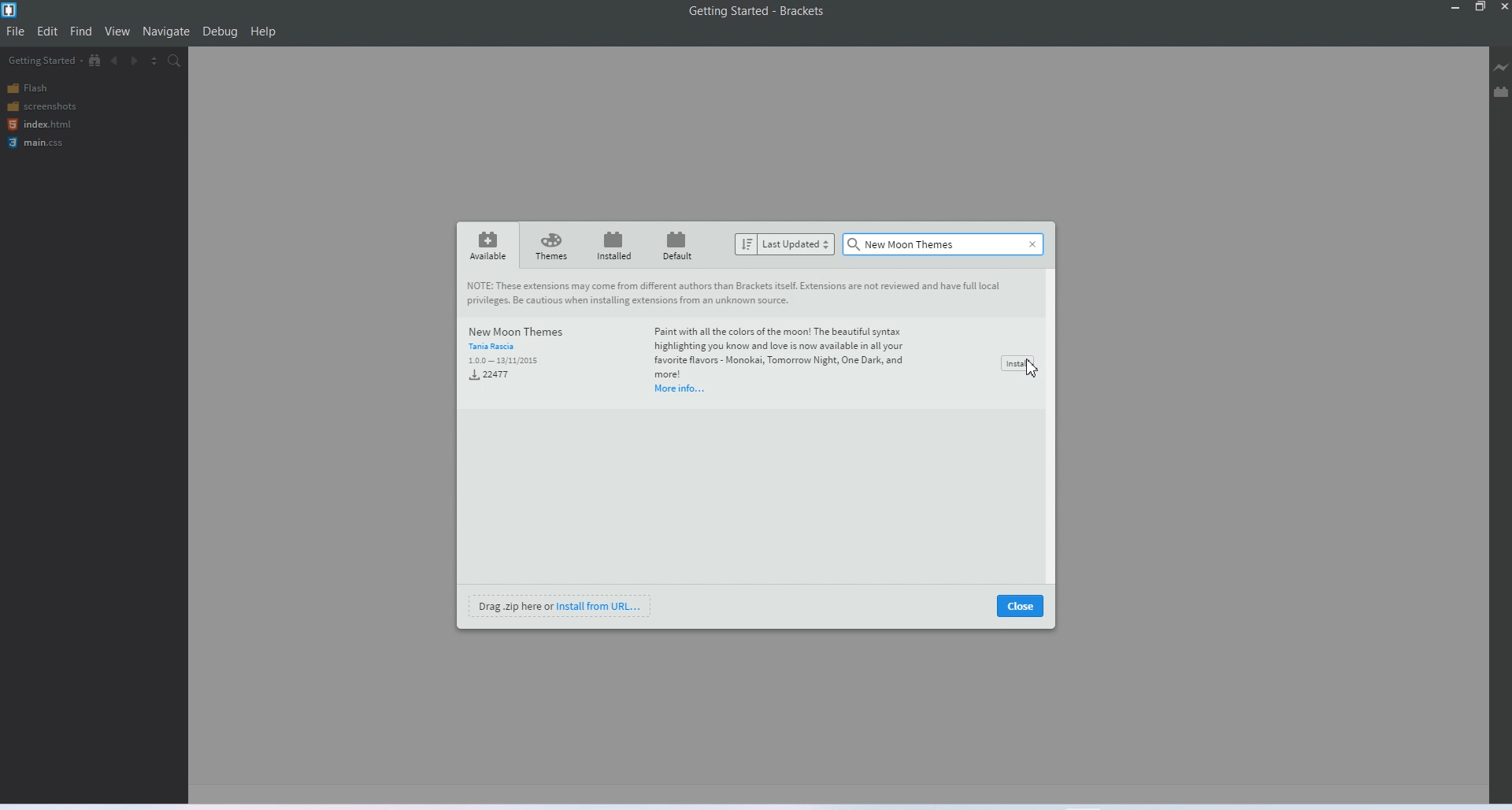 This screenshot has height=810, width=1512. I want to click on Minimize, so click(1457, 8).